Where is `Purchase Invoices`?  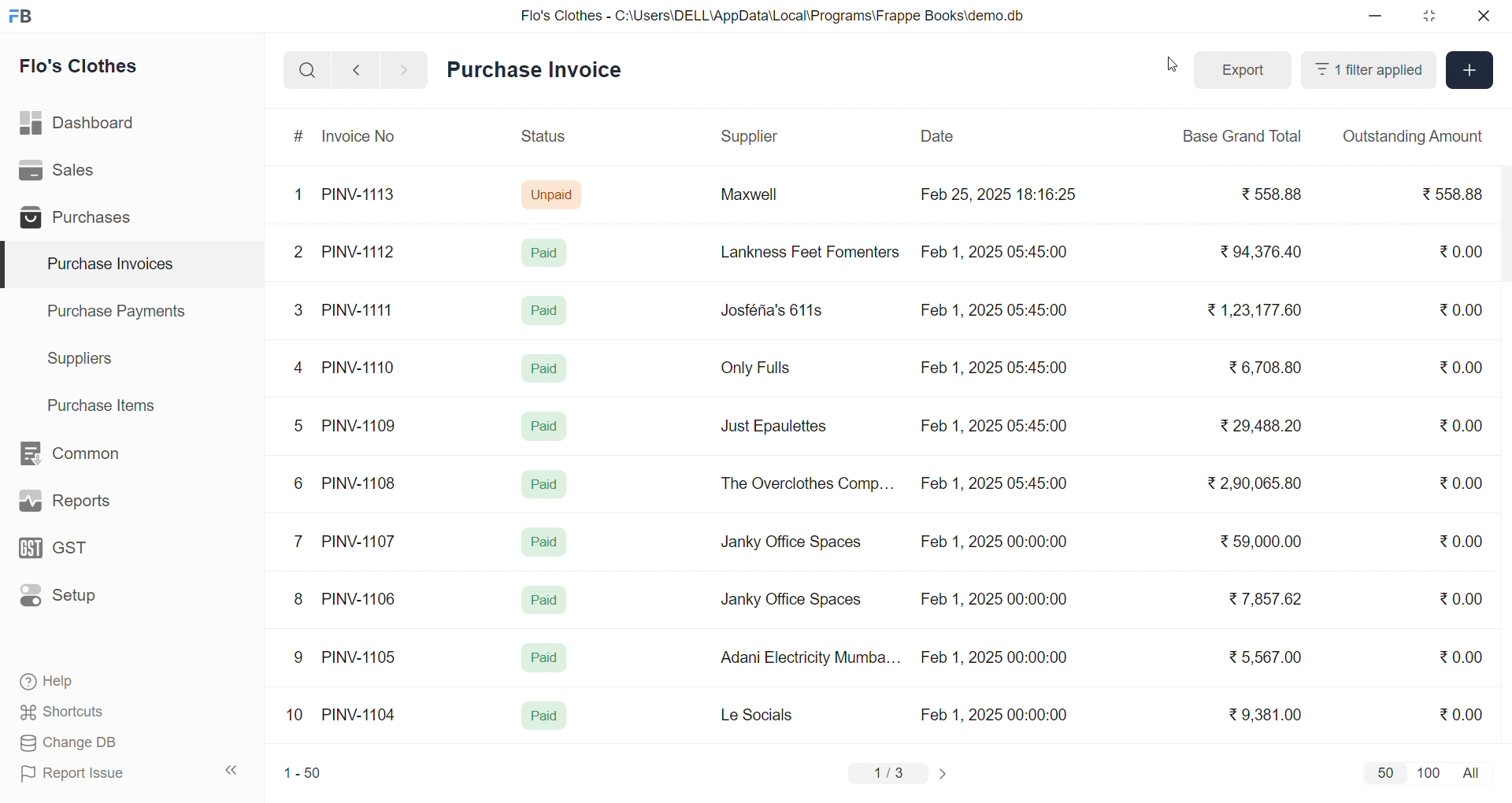
Purchase Invoices is located at coordinates (108, 265).